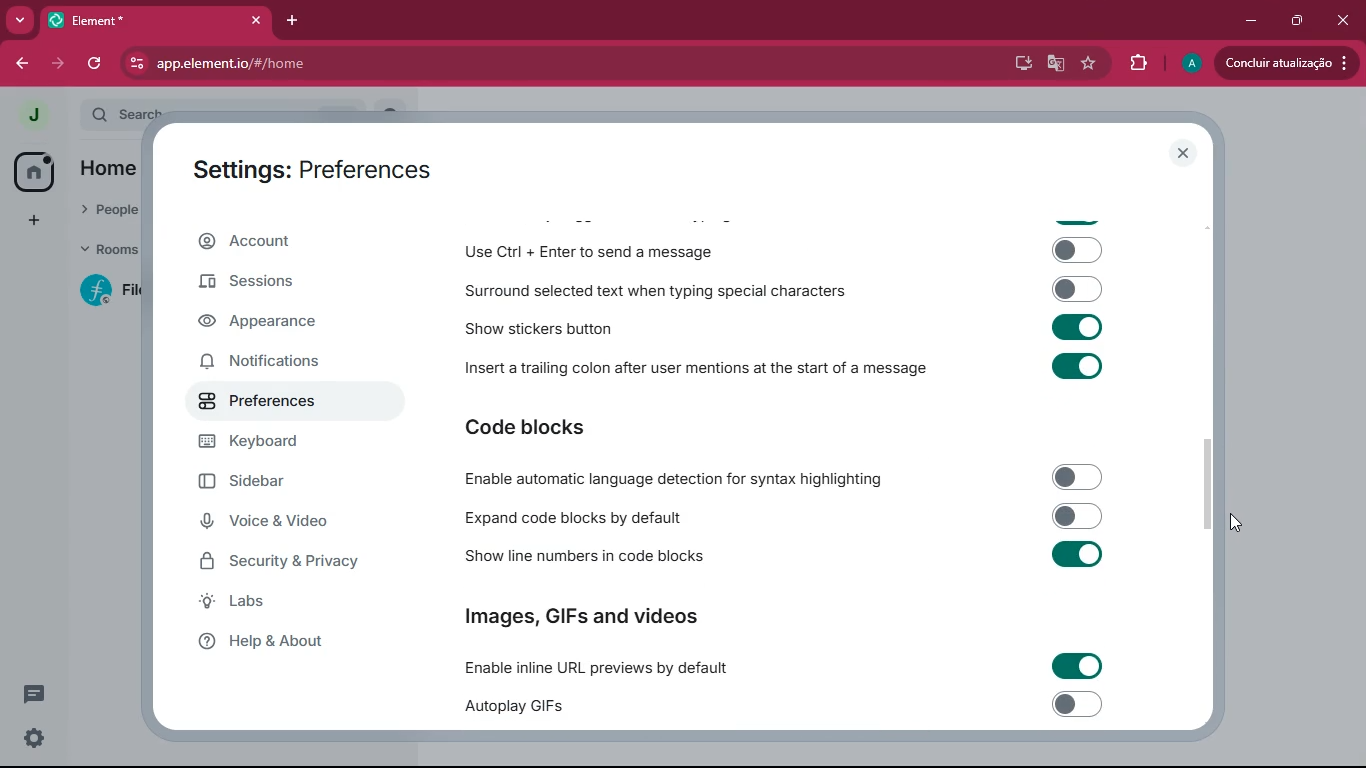 The height and width of the screenshot is (768, 1366). What do you see at coordinates (267, 323) in the screenshot?
I see `appearance` at bounding box center [267, 323].